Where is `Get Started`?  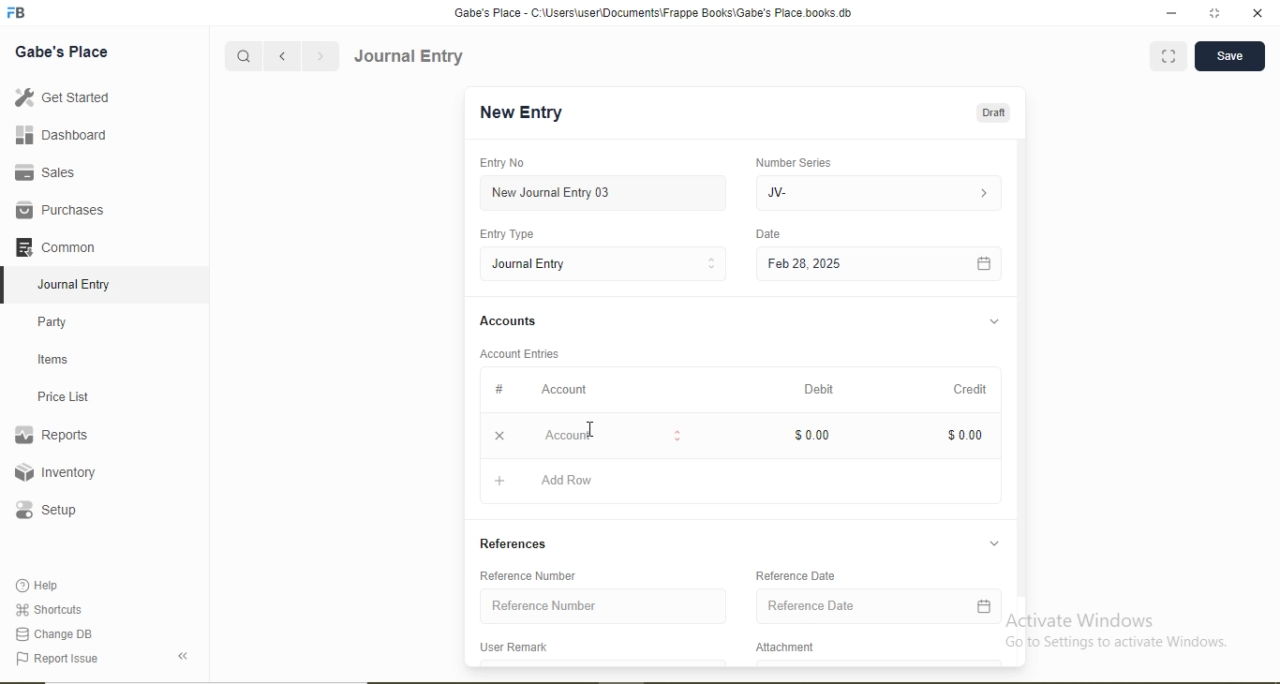 Get Started is located at coordinates (61, 96).